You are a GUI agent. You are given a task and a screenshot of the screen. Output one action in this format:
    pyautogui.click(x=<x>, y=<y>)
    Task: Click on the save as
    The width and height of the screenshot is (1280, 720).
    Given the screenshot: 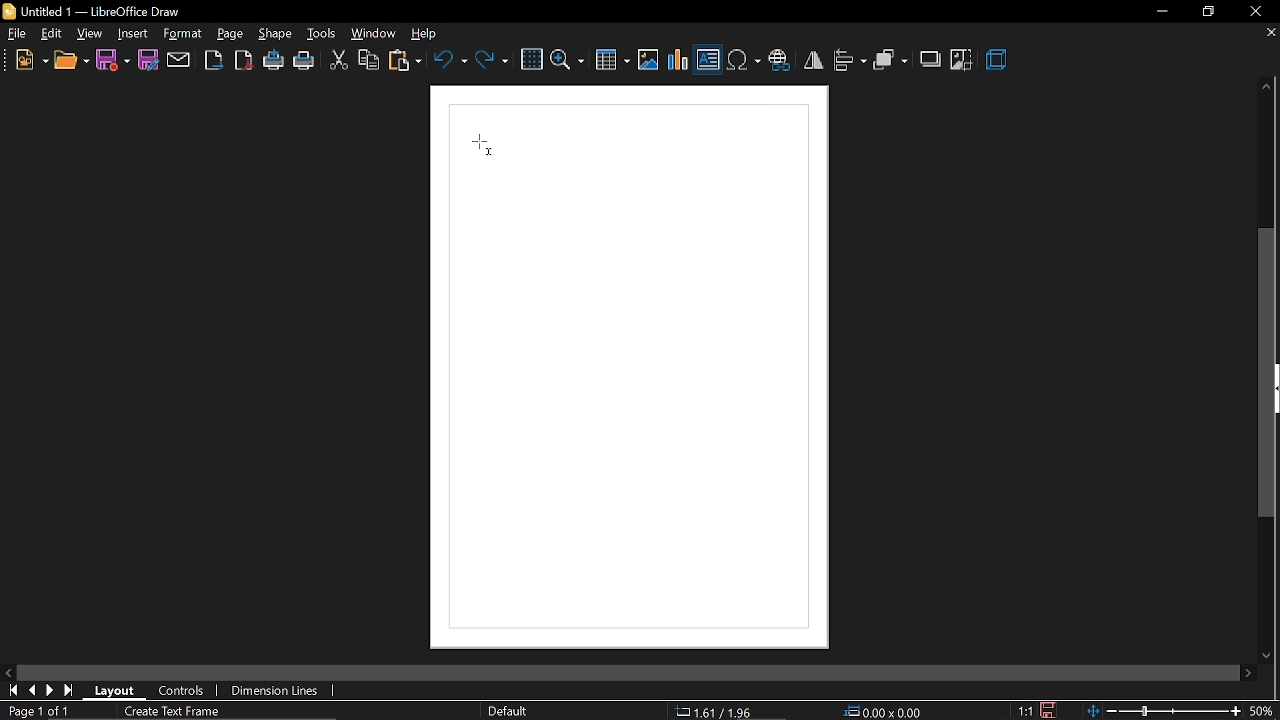 What is the action you would take?
    pyautogui.click(x=148, y=60)
    